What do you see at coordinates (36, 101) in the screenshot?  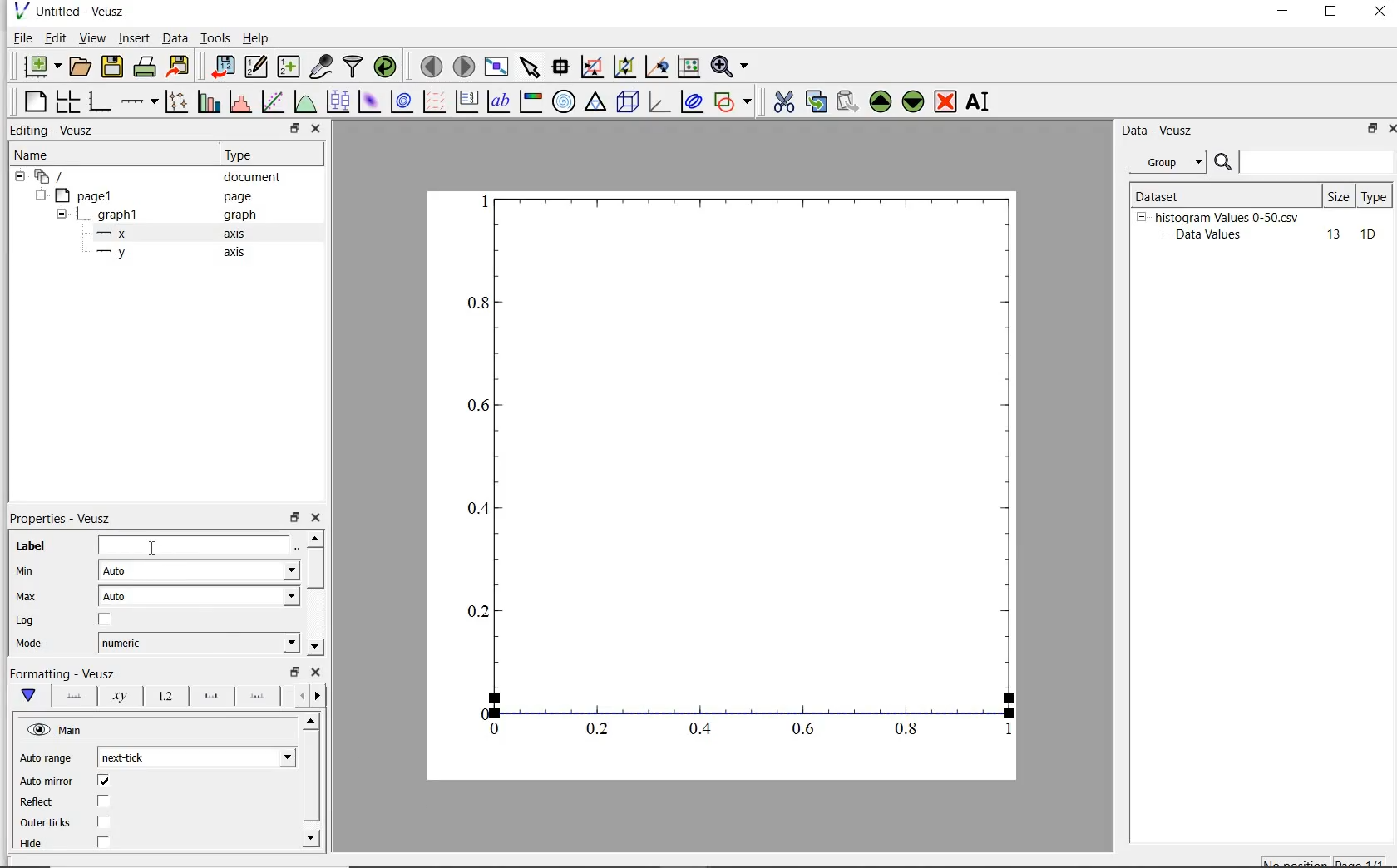 I see `blank page` at bounding box center [36, 101].